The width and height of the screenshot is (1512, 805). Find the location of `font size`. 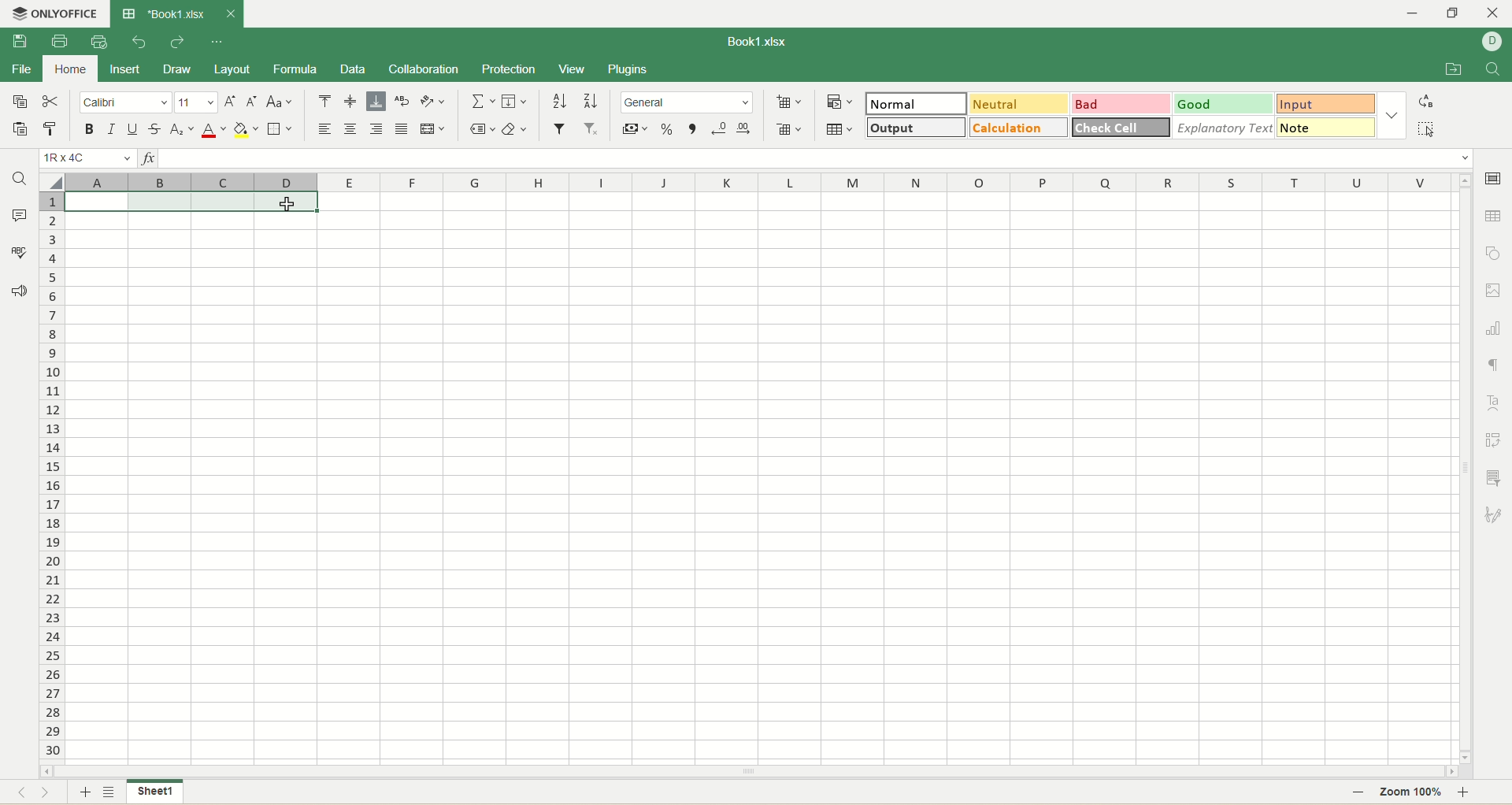

font size is located at coordinates (196, 102).